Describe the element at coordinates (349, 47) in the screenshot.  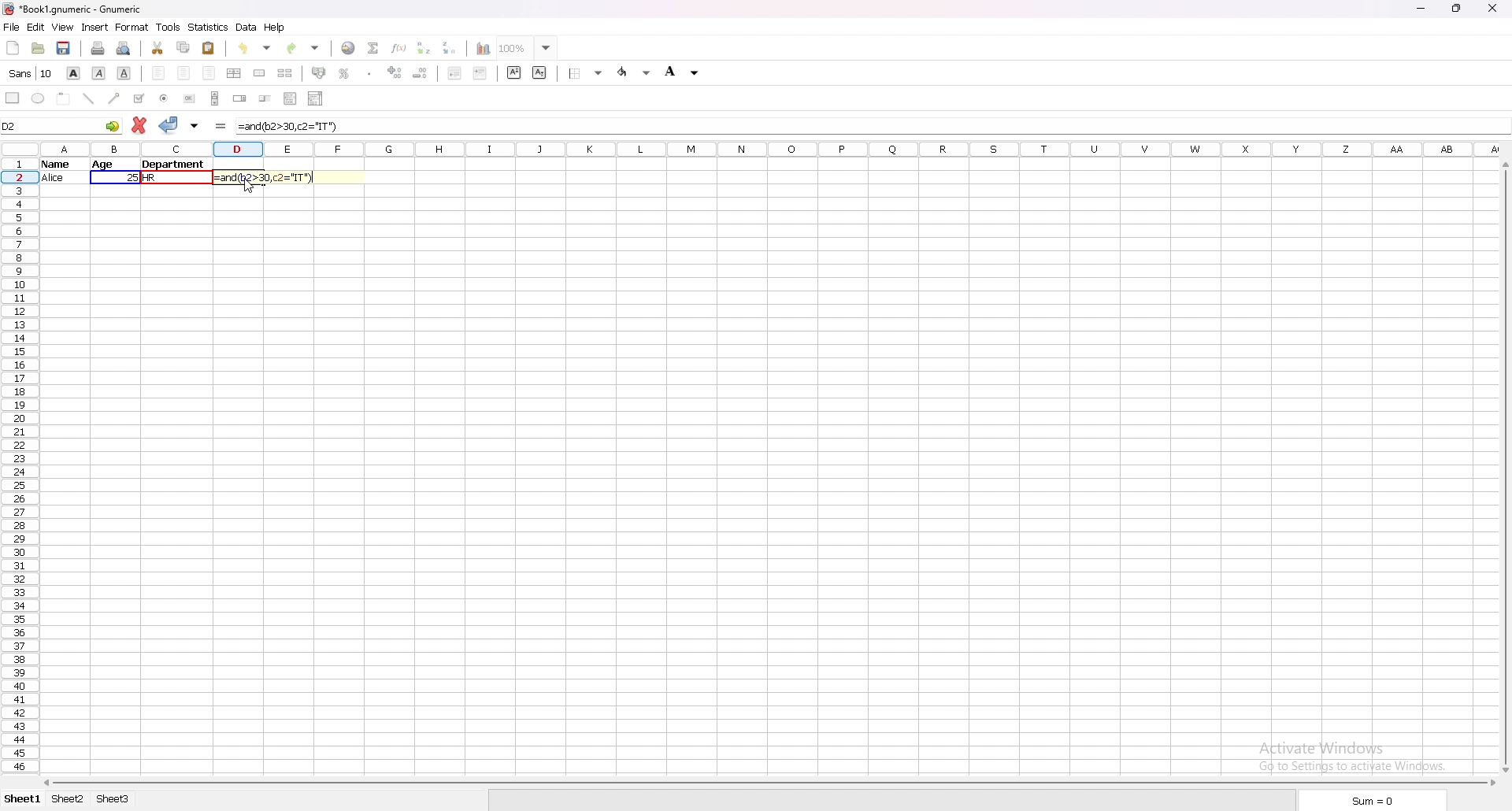
I see `hyperlink` at that location.